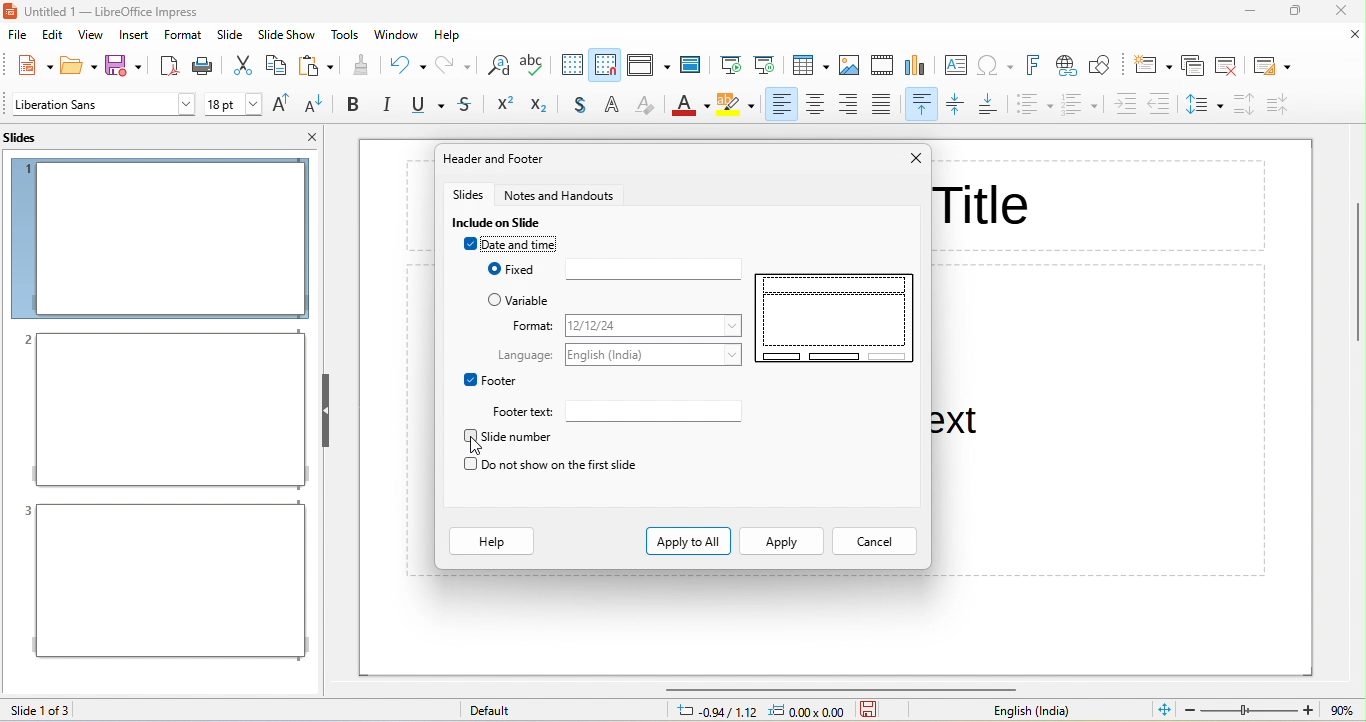  Describe the element at coordinates (955, 66) in the screenshot. I see `text box` at that location.